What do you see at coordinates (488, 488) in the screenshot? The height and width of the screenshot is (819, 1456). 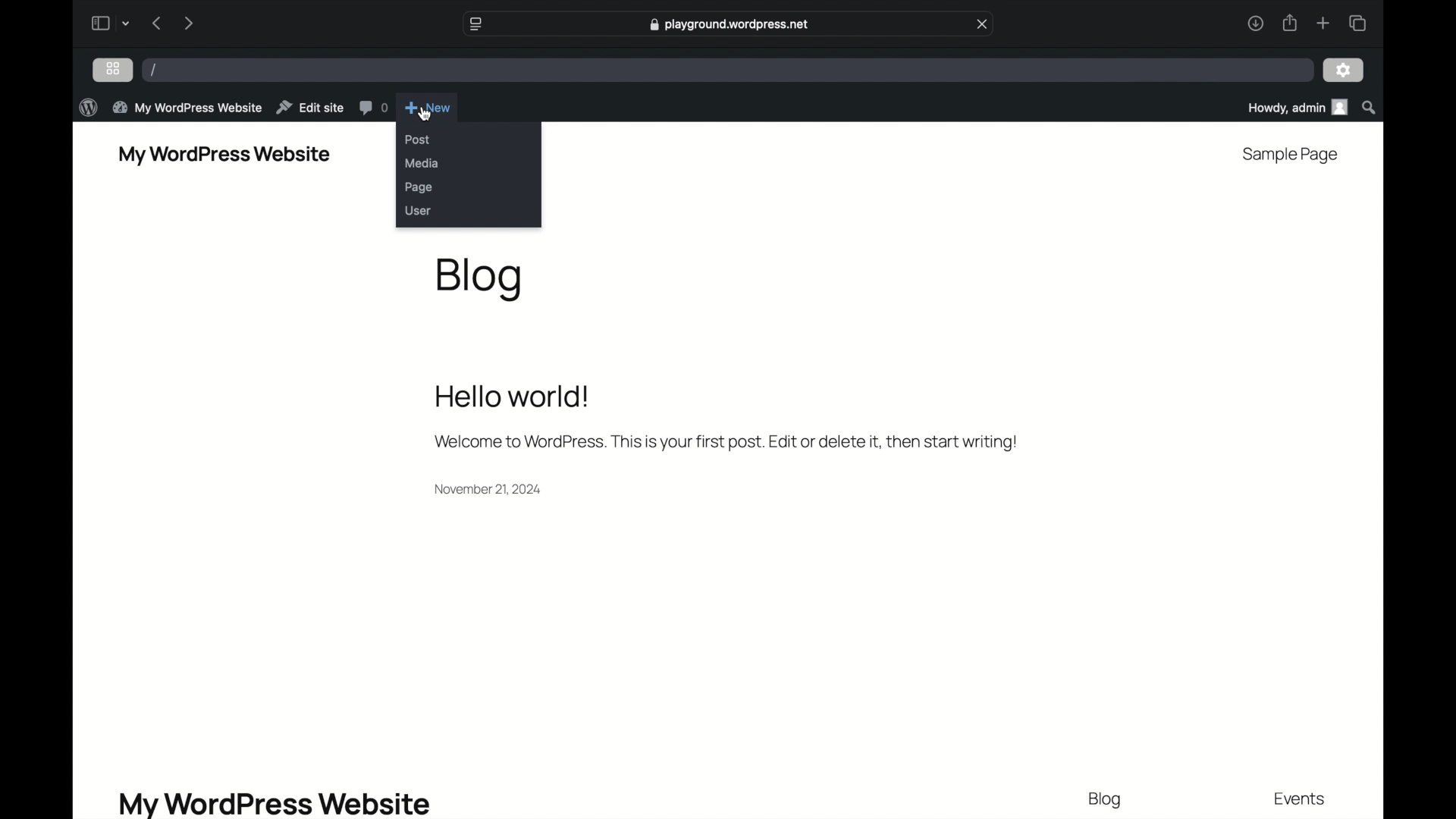 I see `date` at bounding box center [488, 488].